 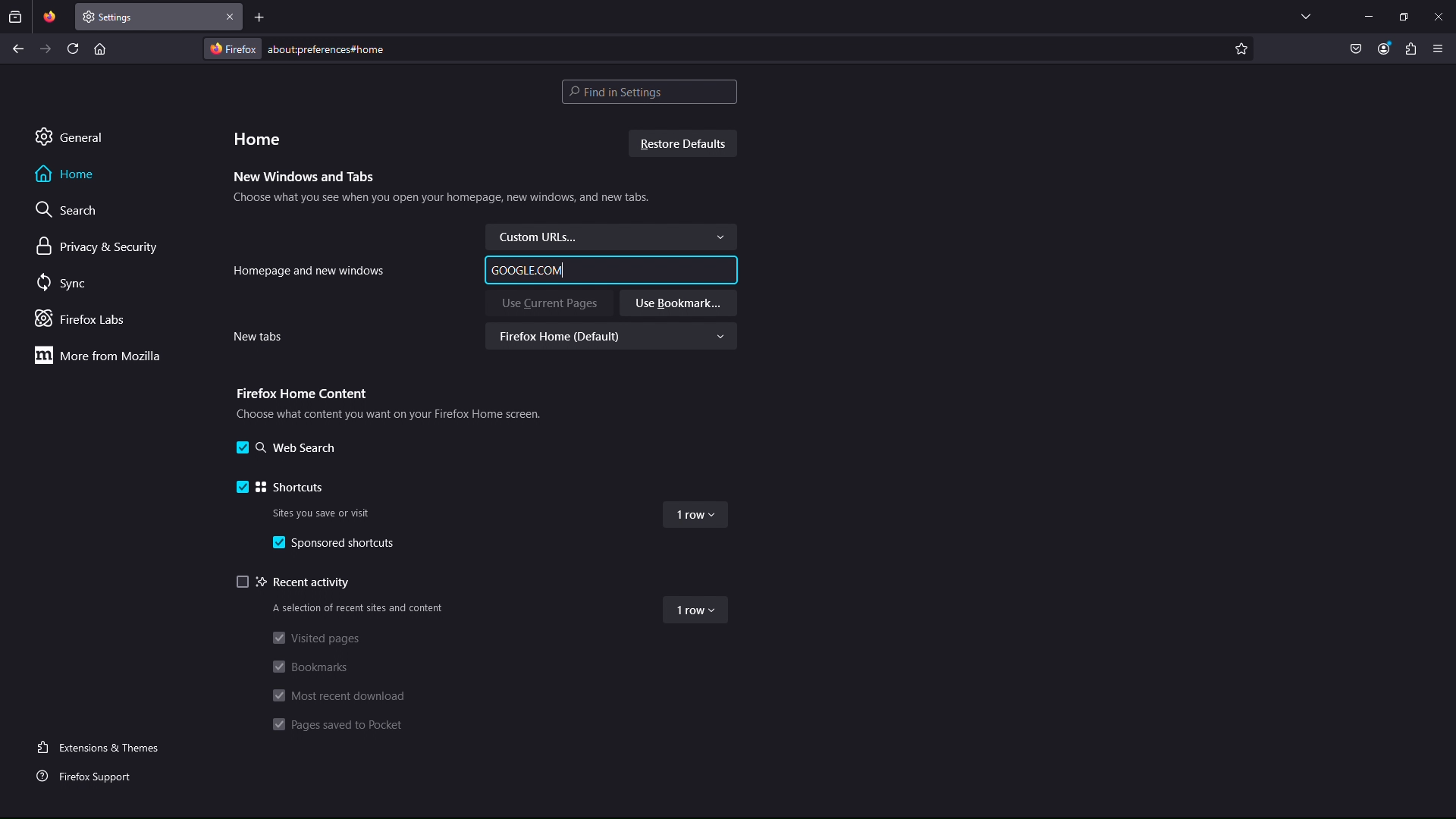 I want to click on 1 row, so click(x=698, y=518).